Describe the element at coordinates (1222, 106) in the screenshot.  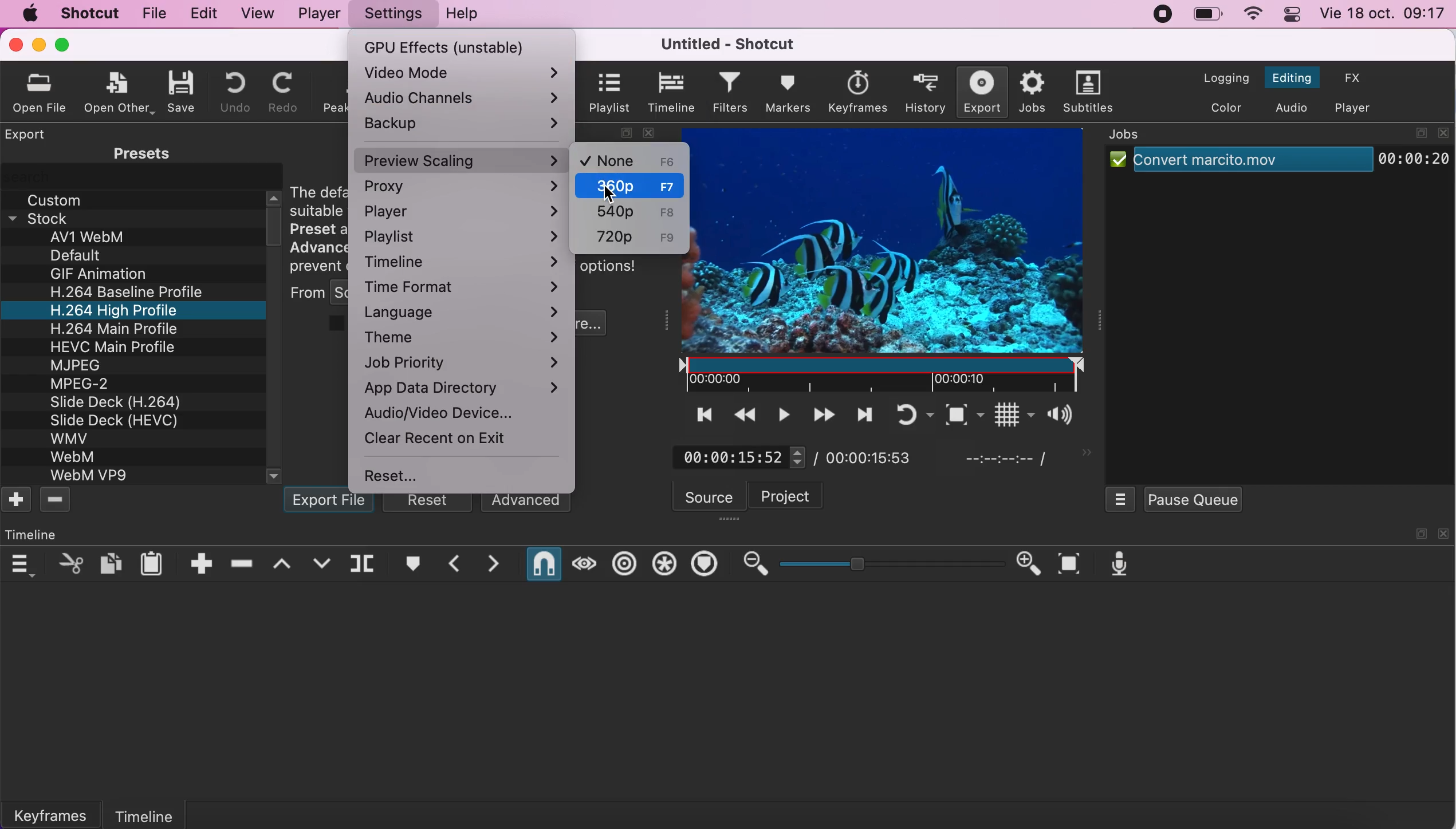
I see `switch to the color layout` at that location.